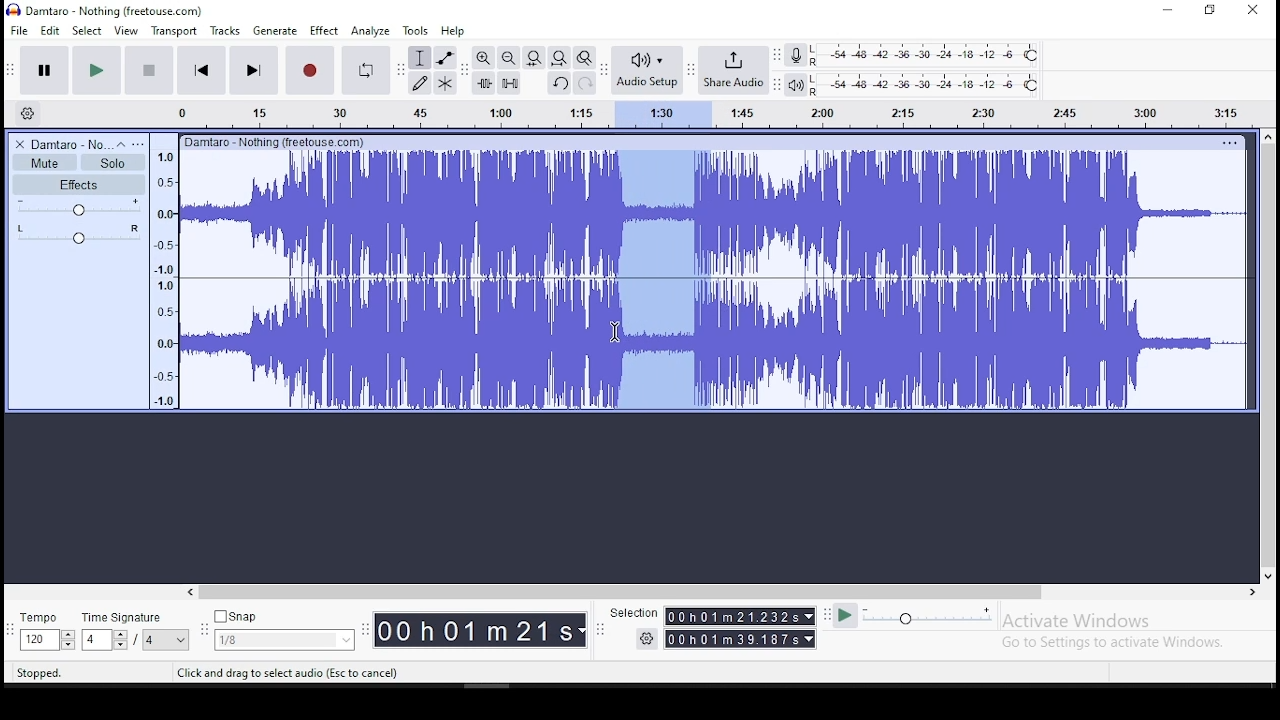 The width and height of the screenshot is (1280, 720). Describe the element at coordinates (445, 82) in the screenshot. I see `multi tool` at that location.